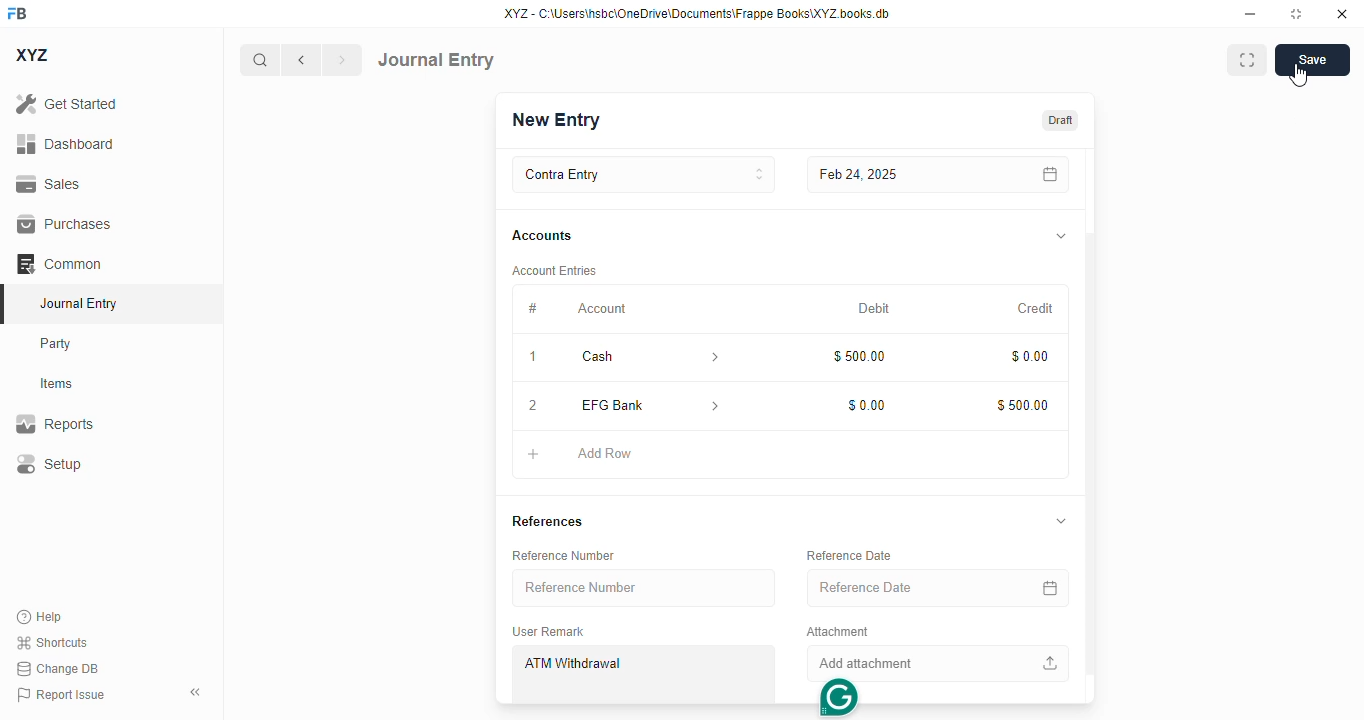  Describe the element at coordinates (557, 119) in the screenshot. I see `new entry` at that location.